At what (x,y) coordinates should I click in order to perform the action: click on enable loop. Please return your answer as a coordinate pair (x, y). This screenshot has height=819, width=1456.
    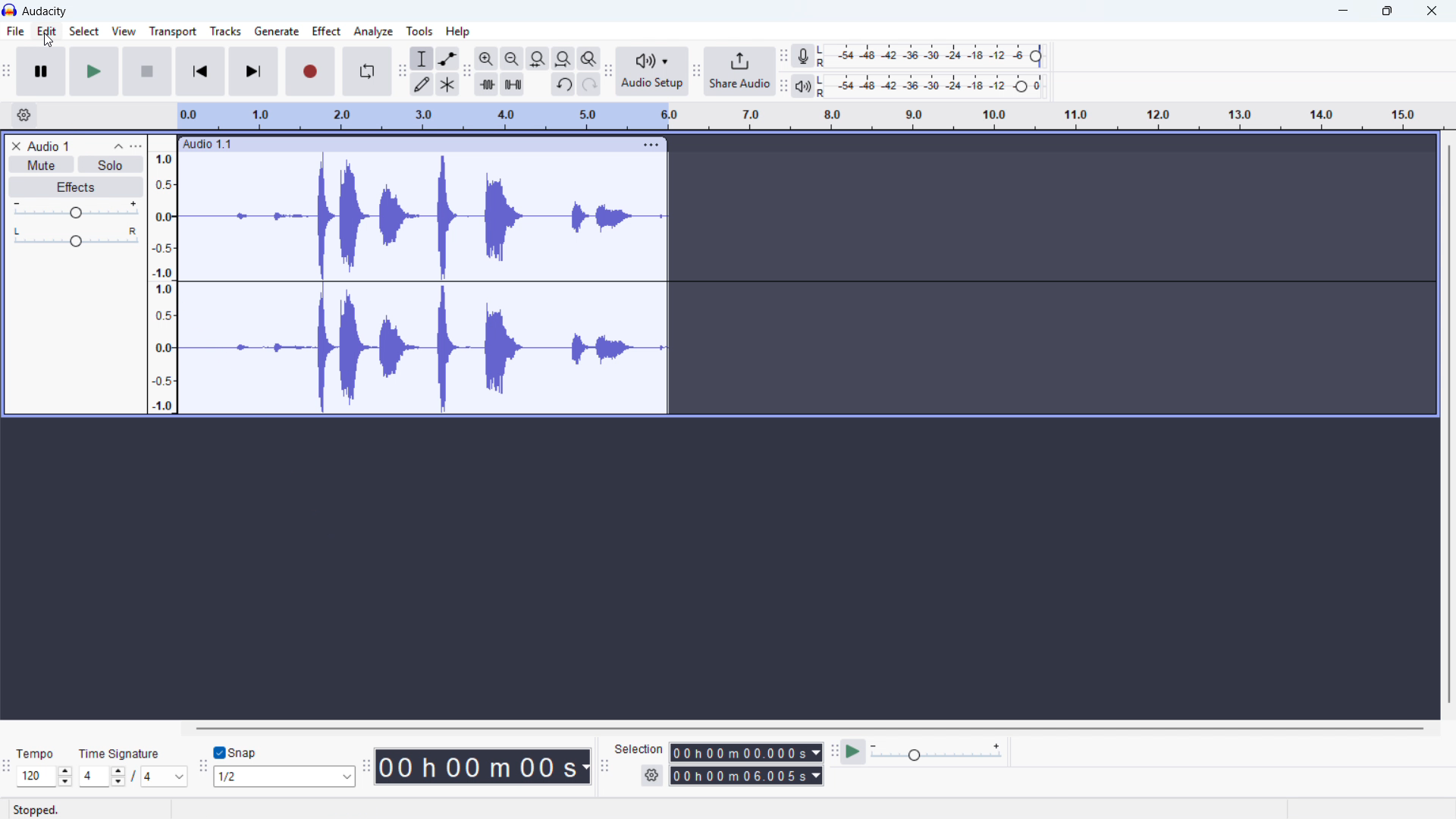
    Looking at the image, I should click on (369, 71).